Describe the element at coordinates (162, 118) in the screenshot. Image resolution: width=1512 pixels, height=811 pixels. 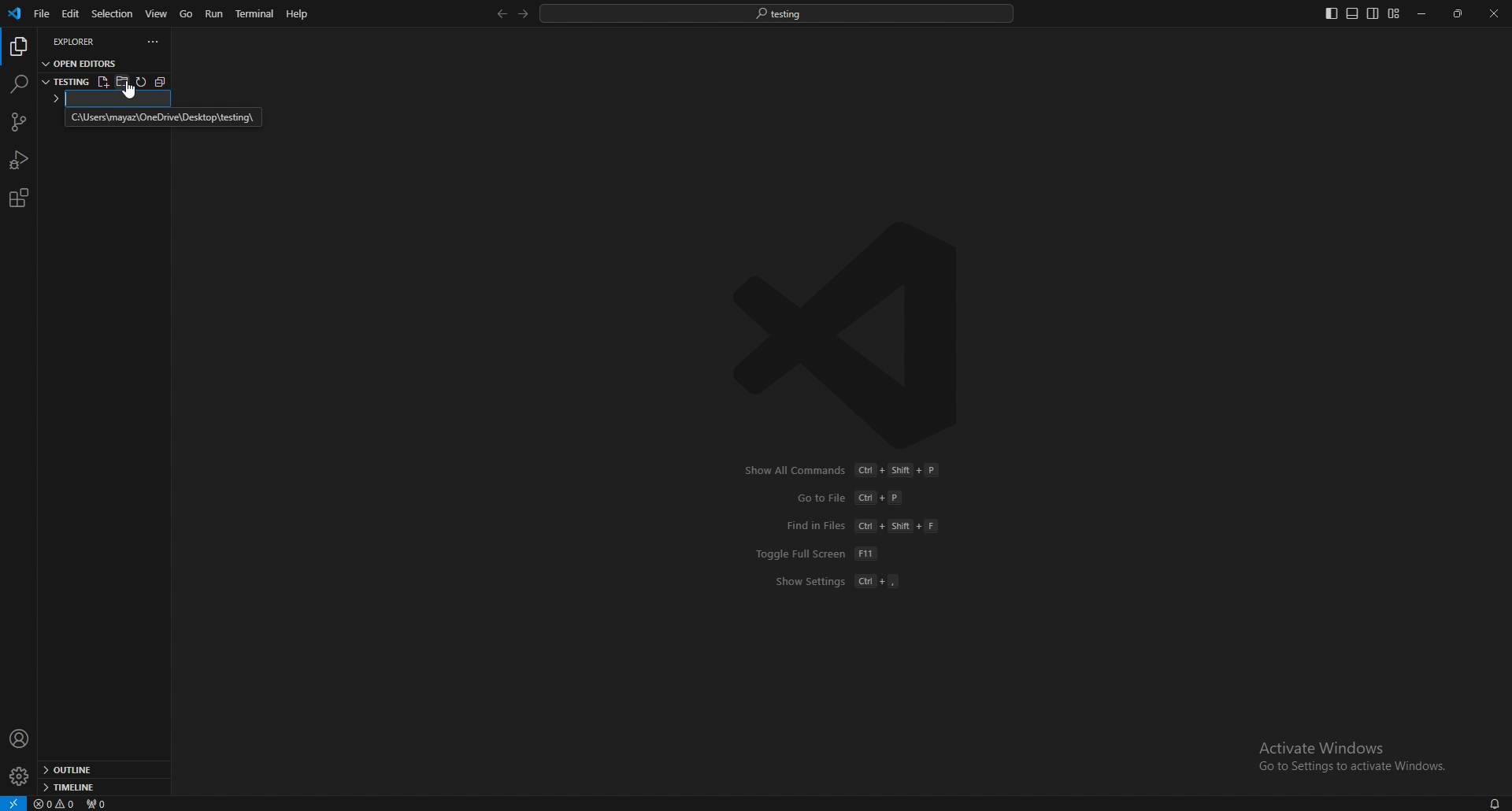
I see `tooltip` at that location.